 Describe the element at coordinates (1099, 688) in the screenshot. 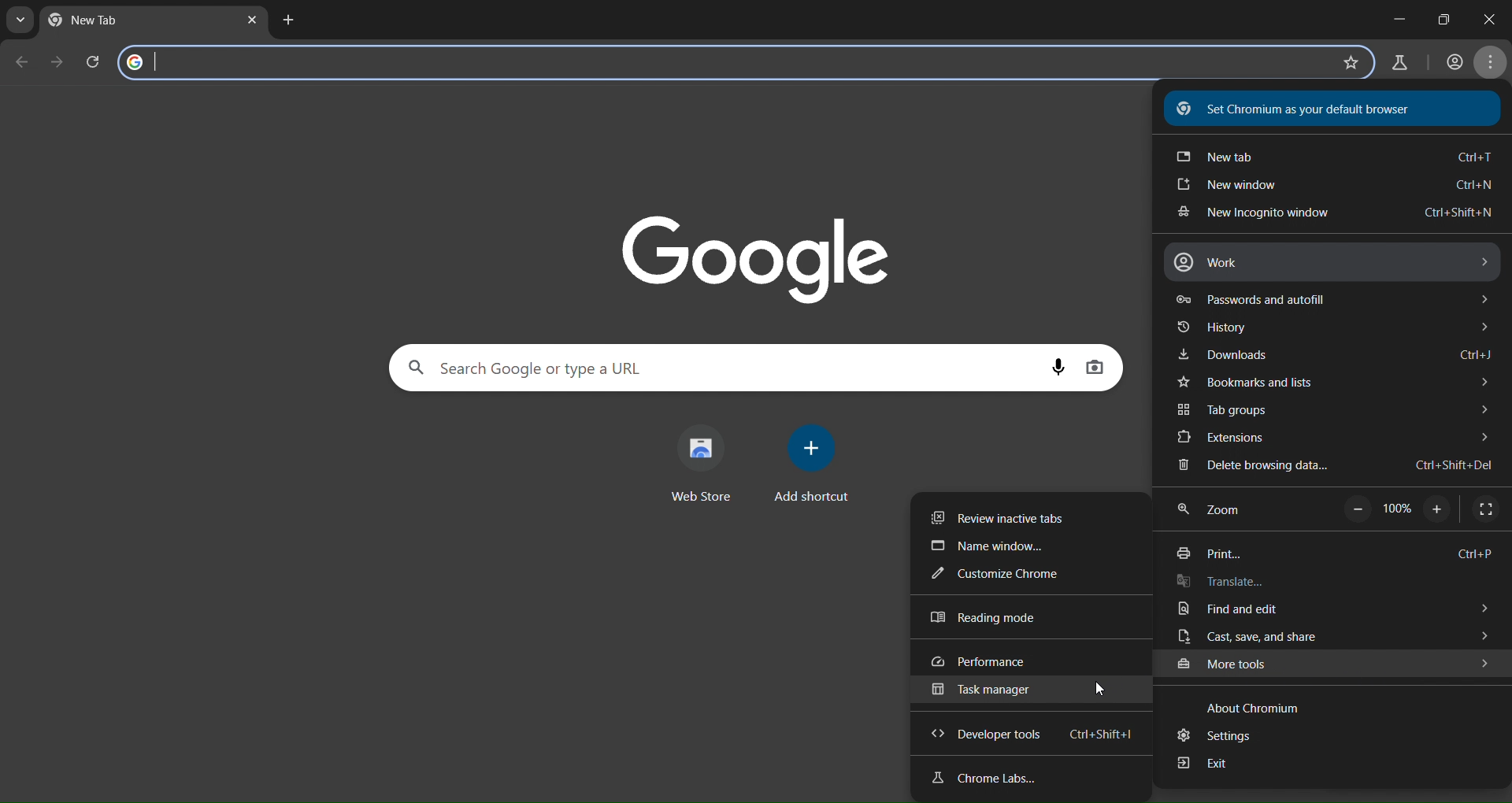

I see `cursor` at that location.